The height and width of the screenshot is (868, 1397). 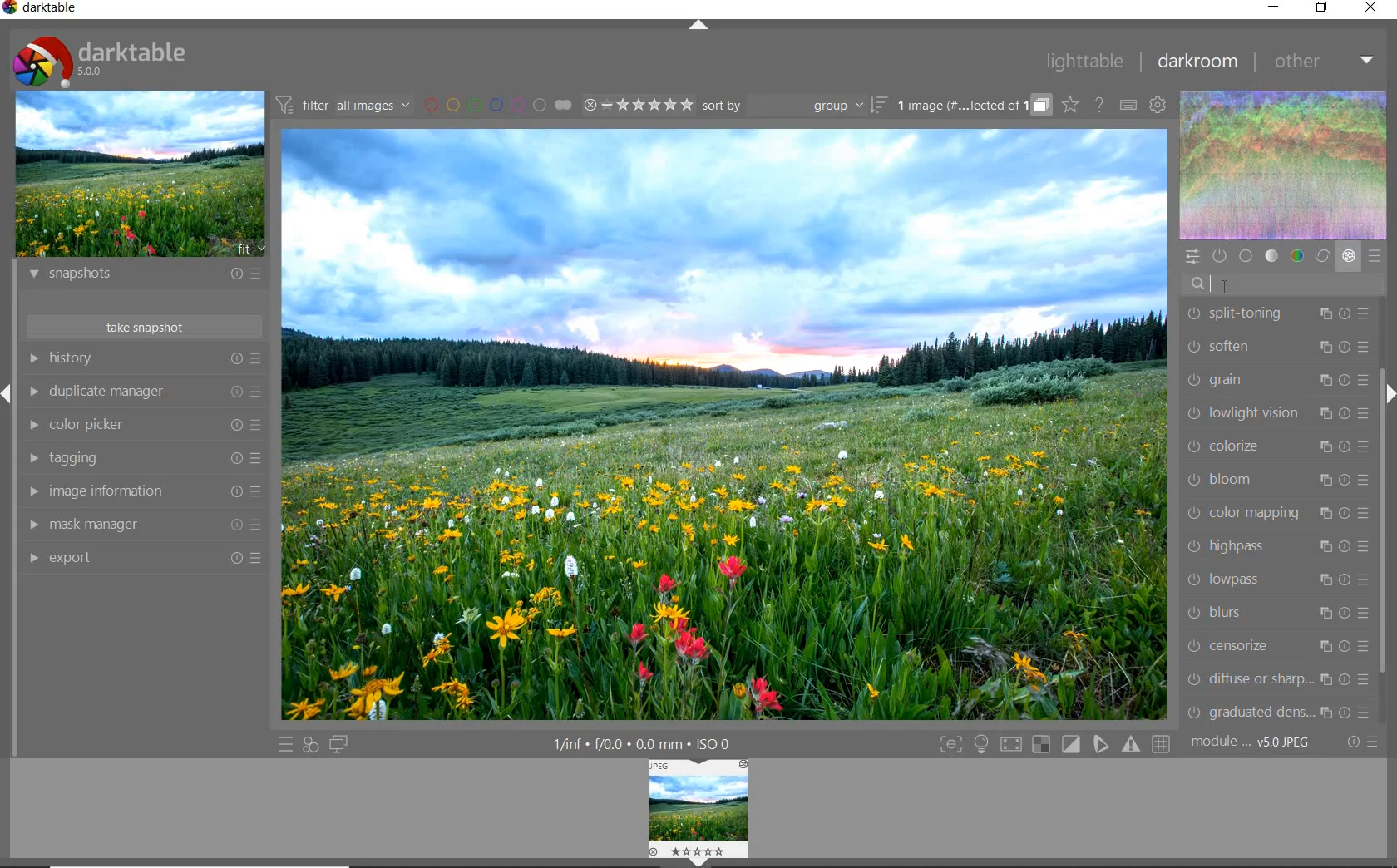 I want to click on color mapping, so click(x=1275, y=512).